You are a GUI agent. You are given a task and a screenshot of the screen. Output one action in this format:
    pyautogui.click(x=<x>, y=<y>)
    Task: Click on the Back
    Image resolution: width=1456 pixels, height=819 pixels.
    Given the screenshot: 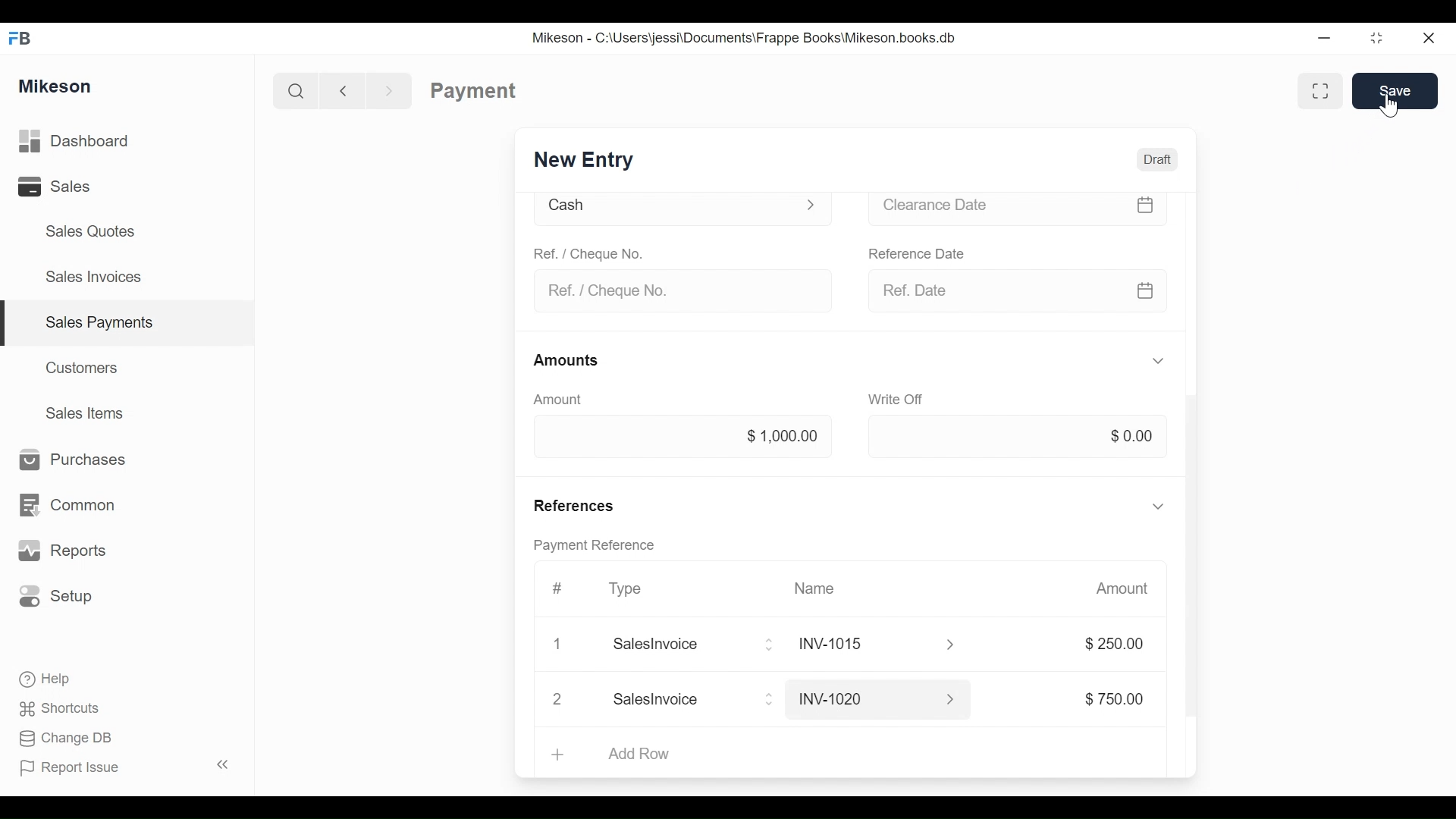 What is the action you would take?
    pyautogui.click(x=350, y=89)
    